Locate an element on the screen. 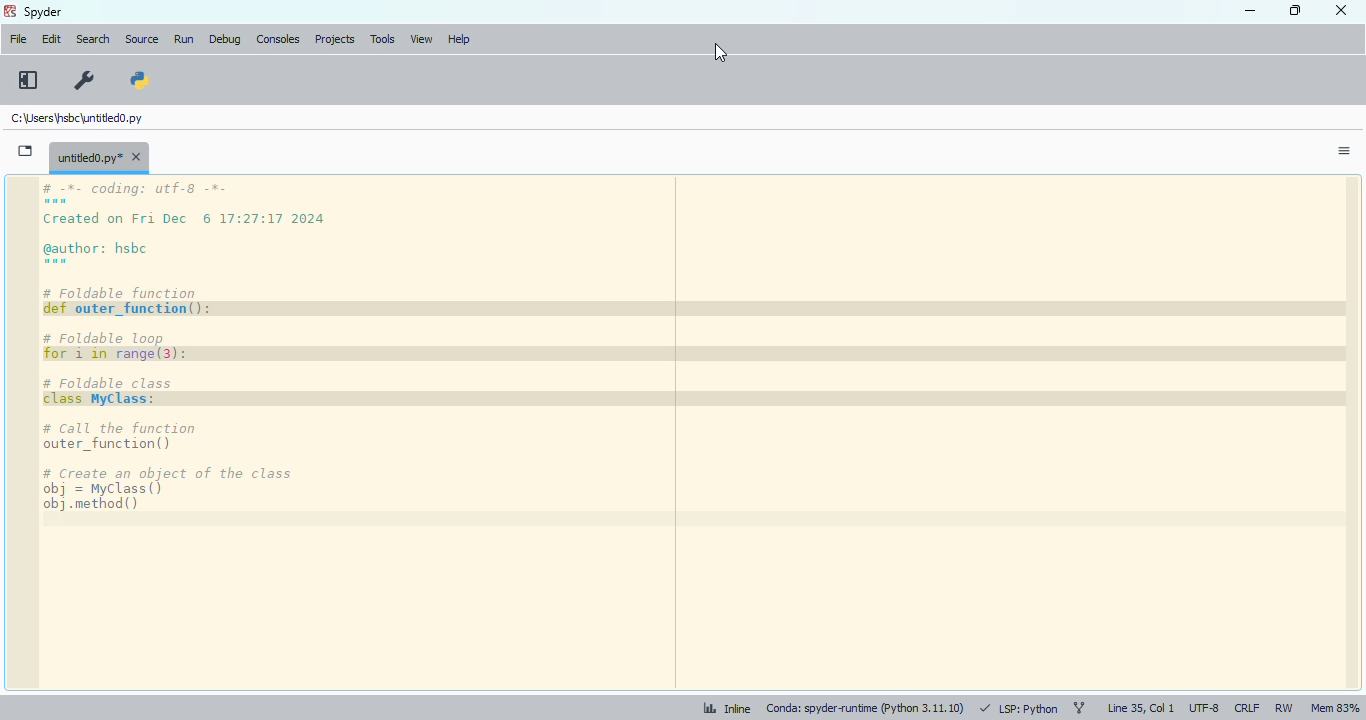 The image size is (1366, 720). untitled0.py is located at coordinates (76, 118).